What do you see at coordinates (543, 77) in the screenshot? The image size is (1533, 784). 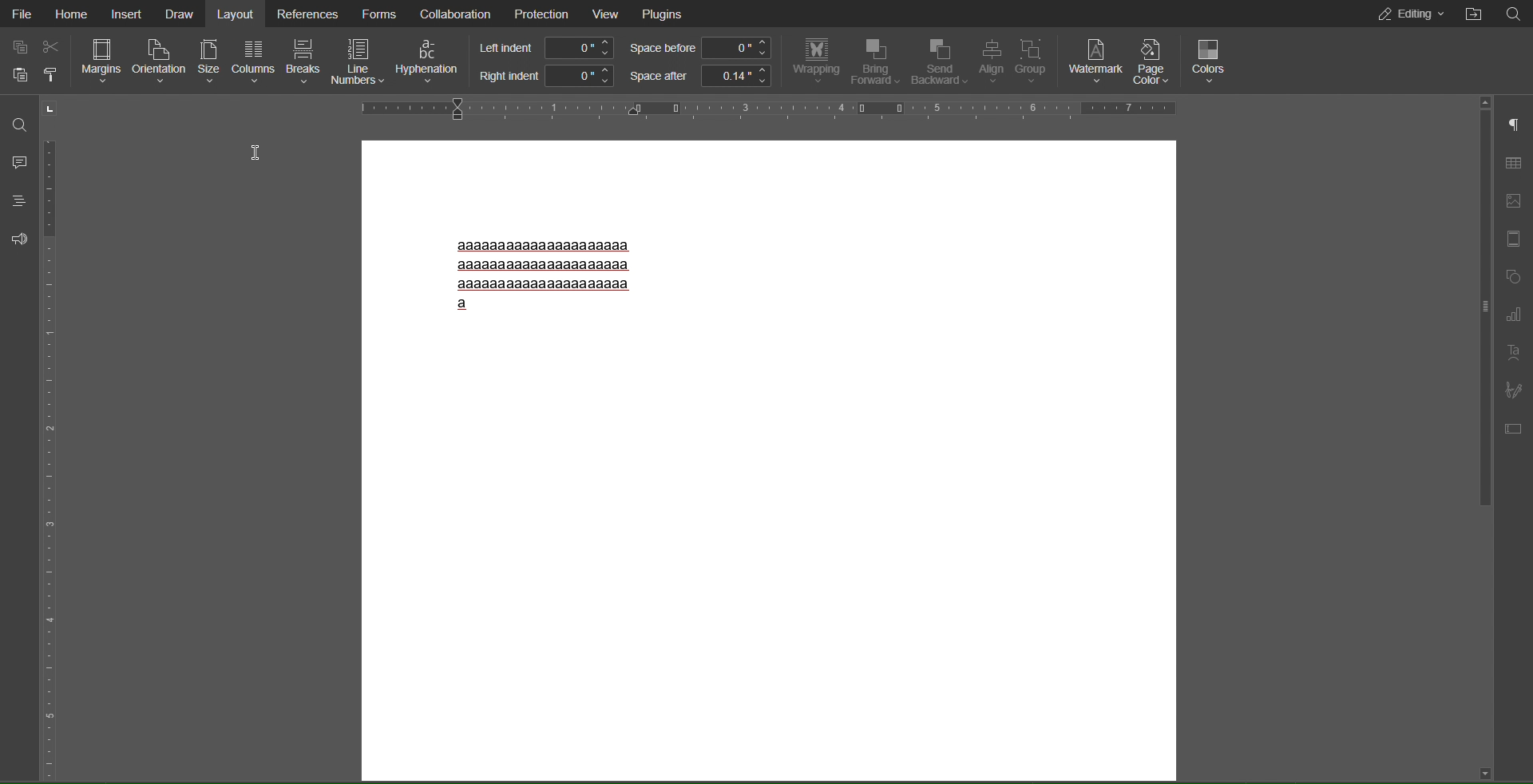 I see `Right Indents` at bounding box center [543, 77].